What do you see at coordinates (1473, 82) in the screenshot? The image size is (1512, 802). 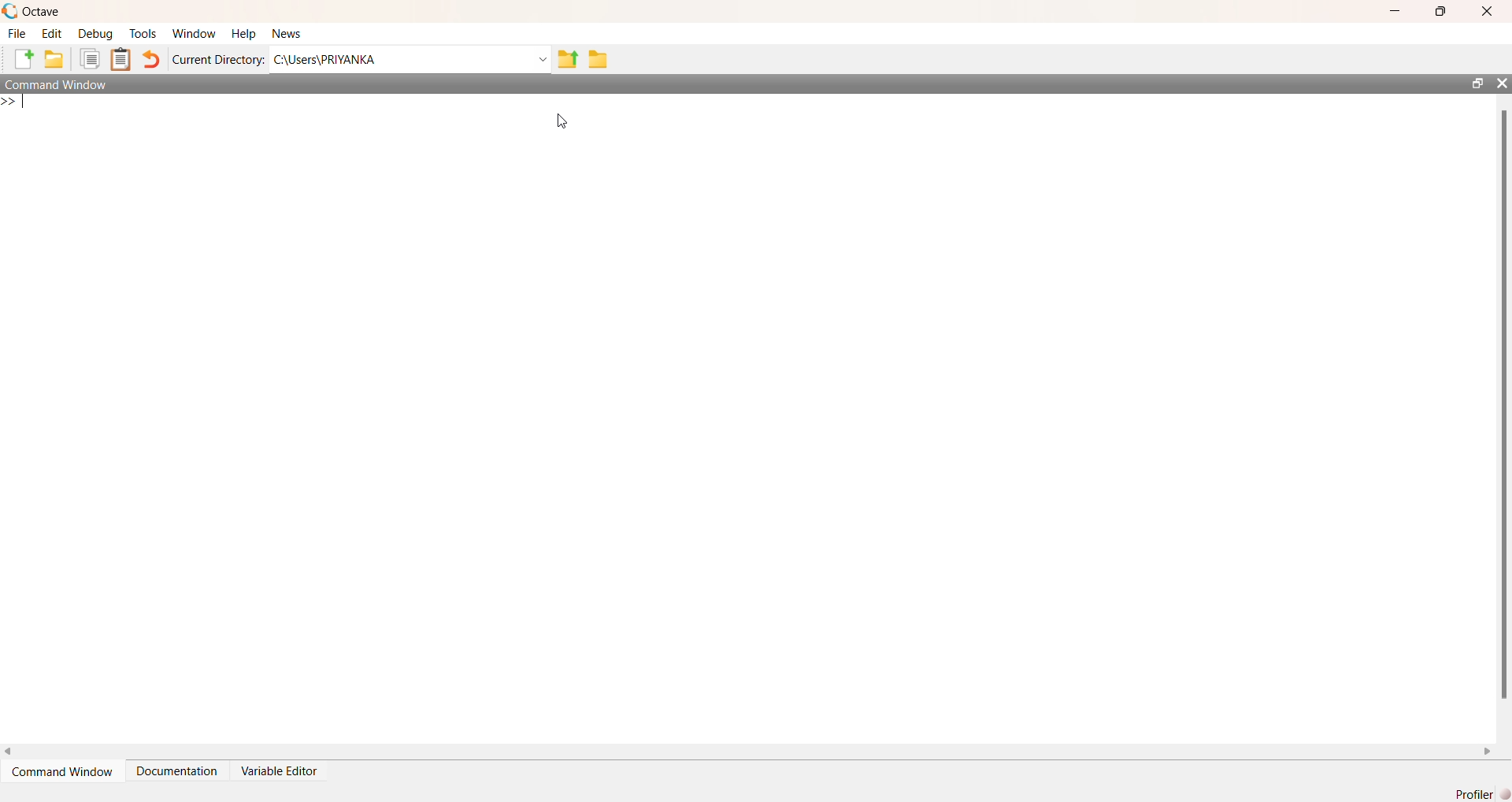 I see `maximize` at bounding box center [1473, 82].